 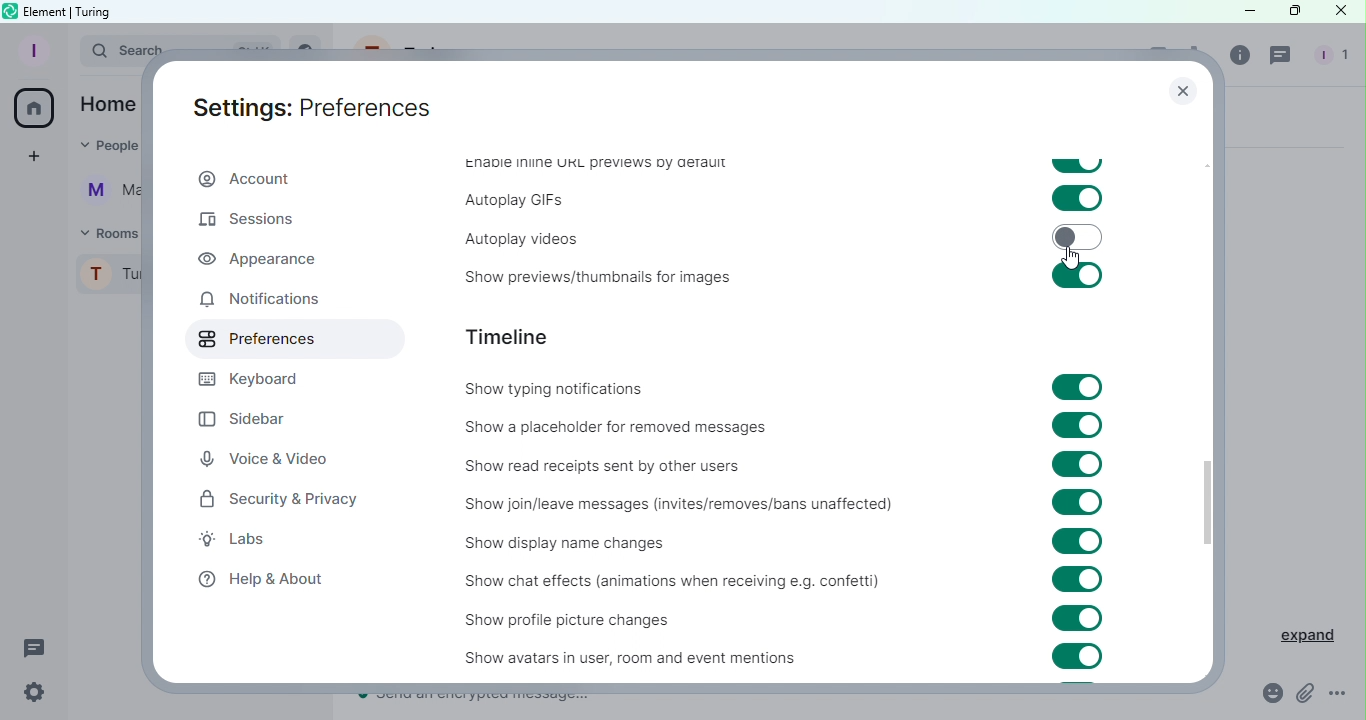 I want to click on Close, so click(x=1179, y=94).